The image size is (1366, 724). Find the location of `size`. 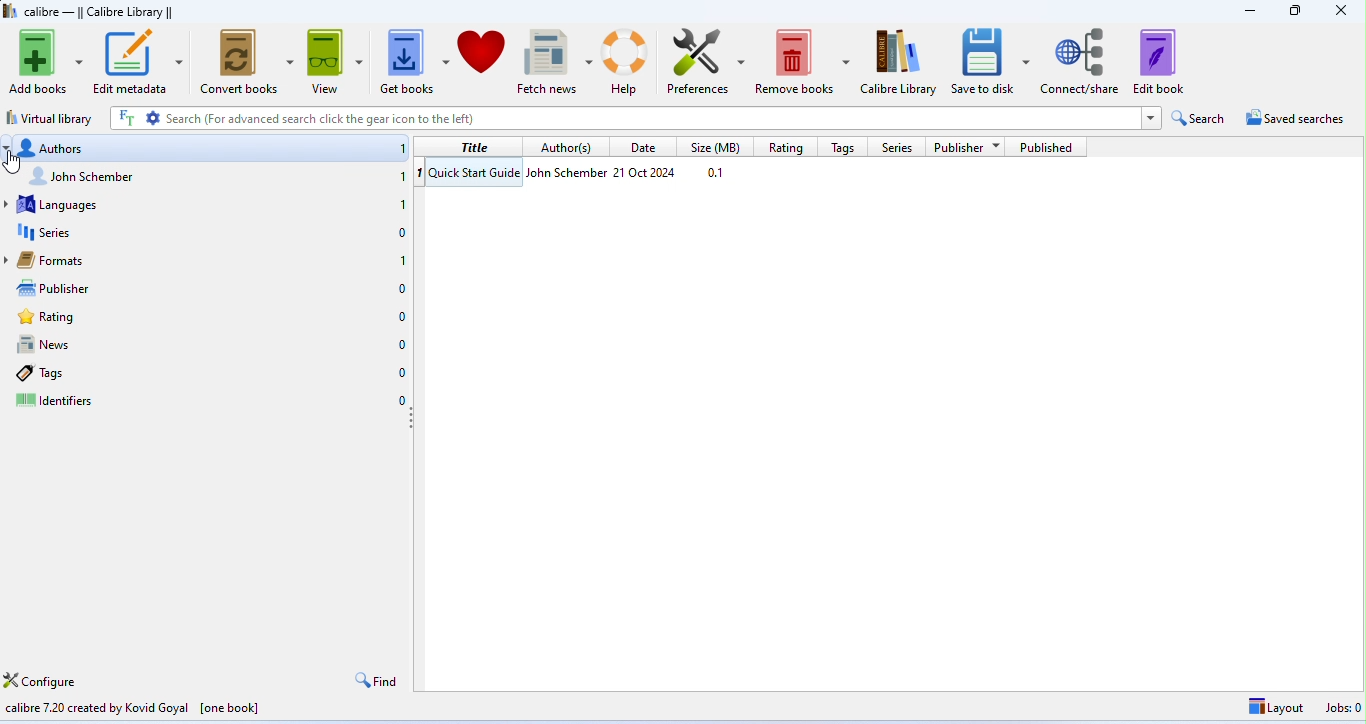

size is located at coordinates (721, 174).